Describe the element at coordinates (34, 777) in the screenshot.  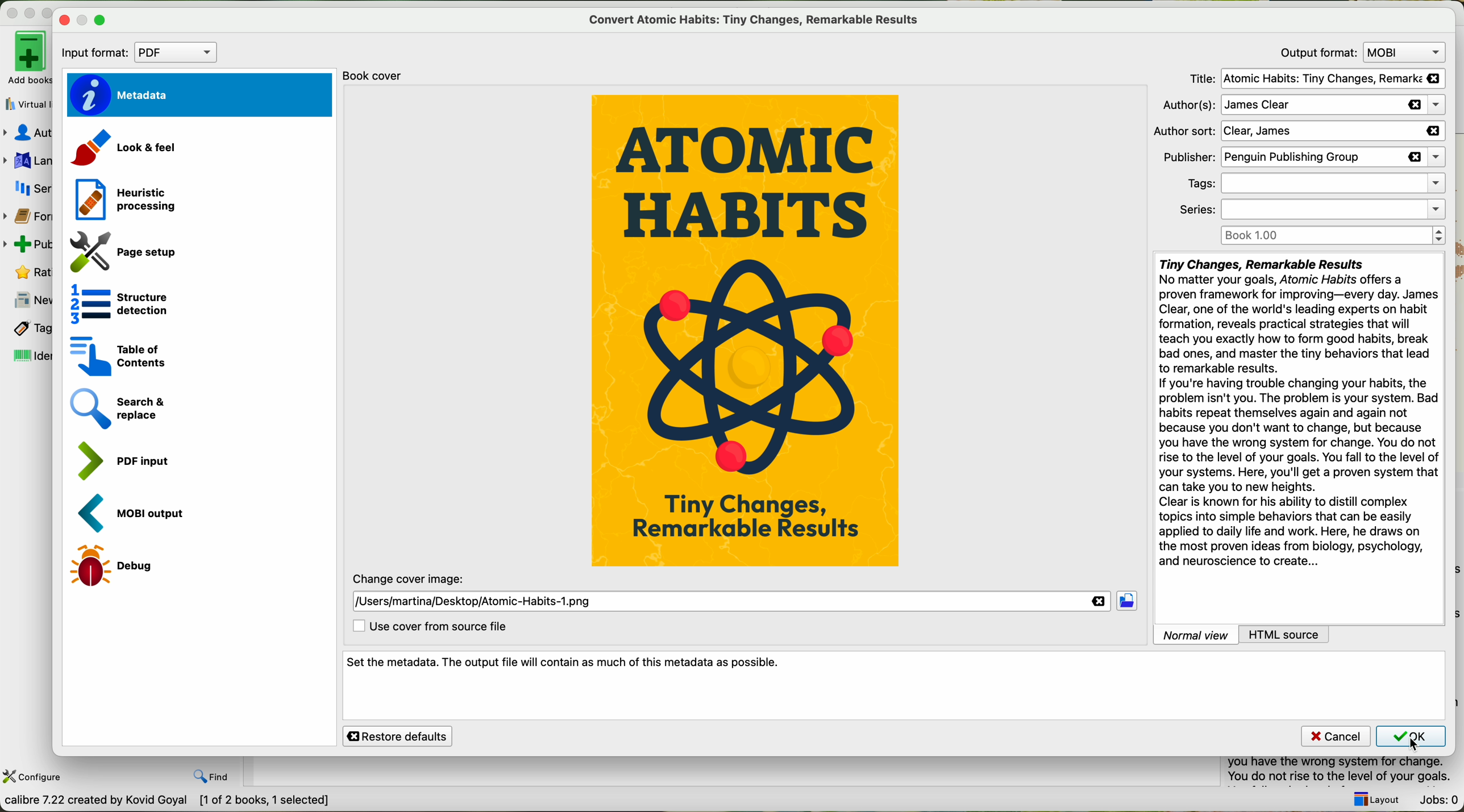
I see `configure` at that location.